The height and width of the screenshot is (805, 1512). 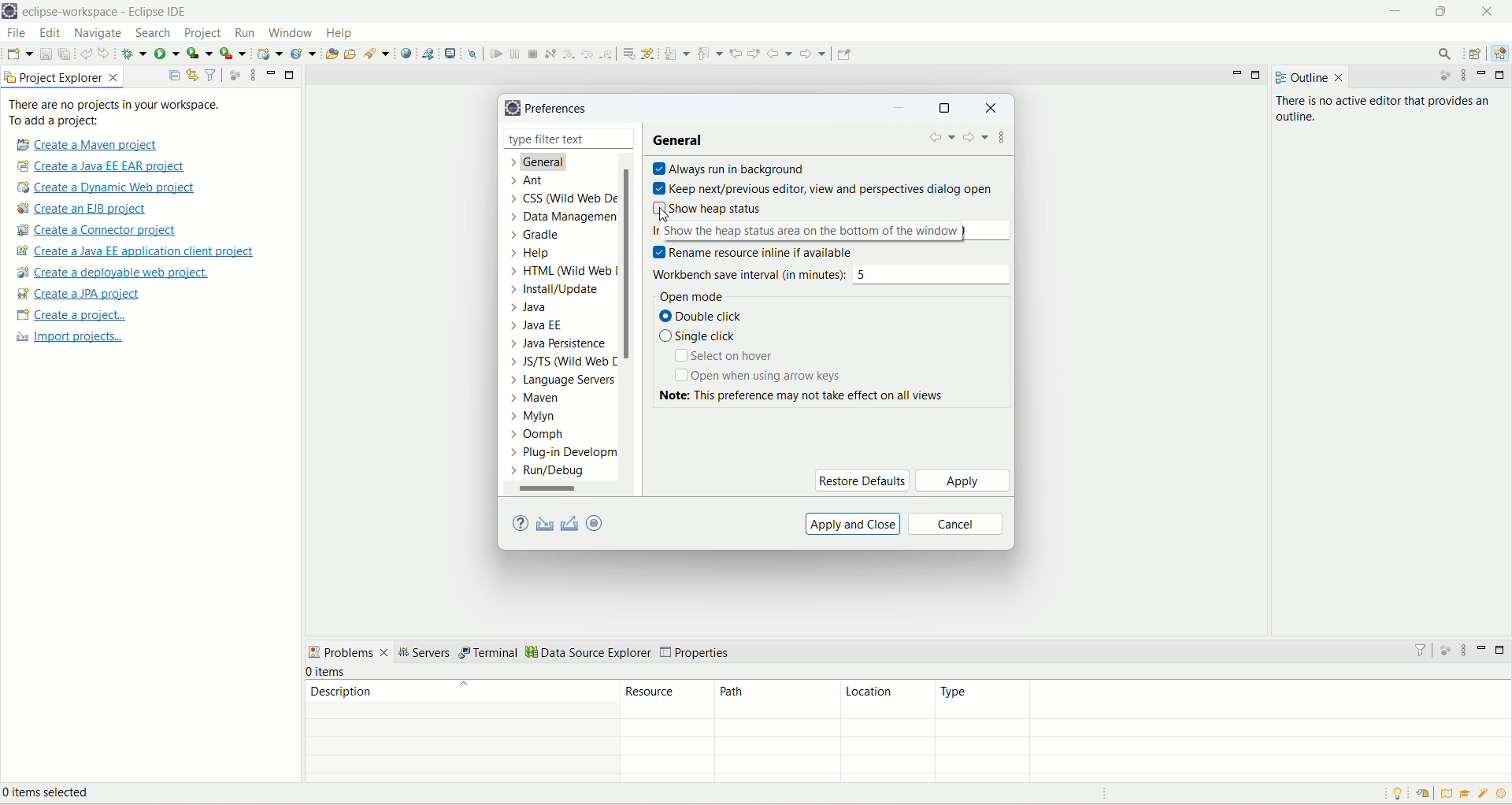 What do you see at coordinates (1444, 14) in the screenshot?
I see `maximize` at bounding box center [1444, 14].